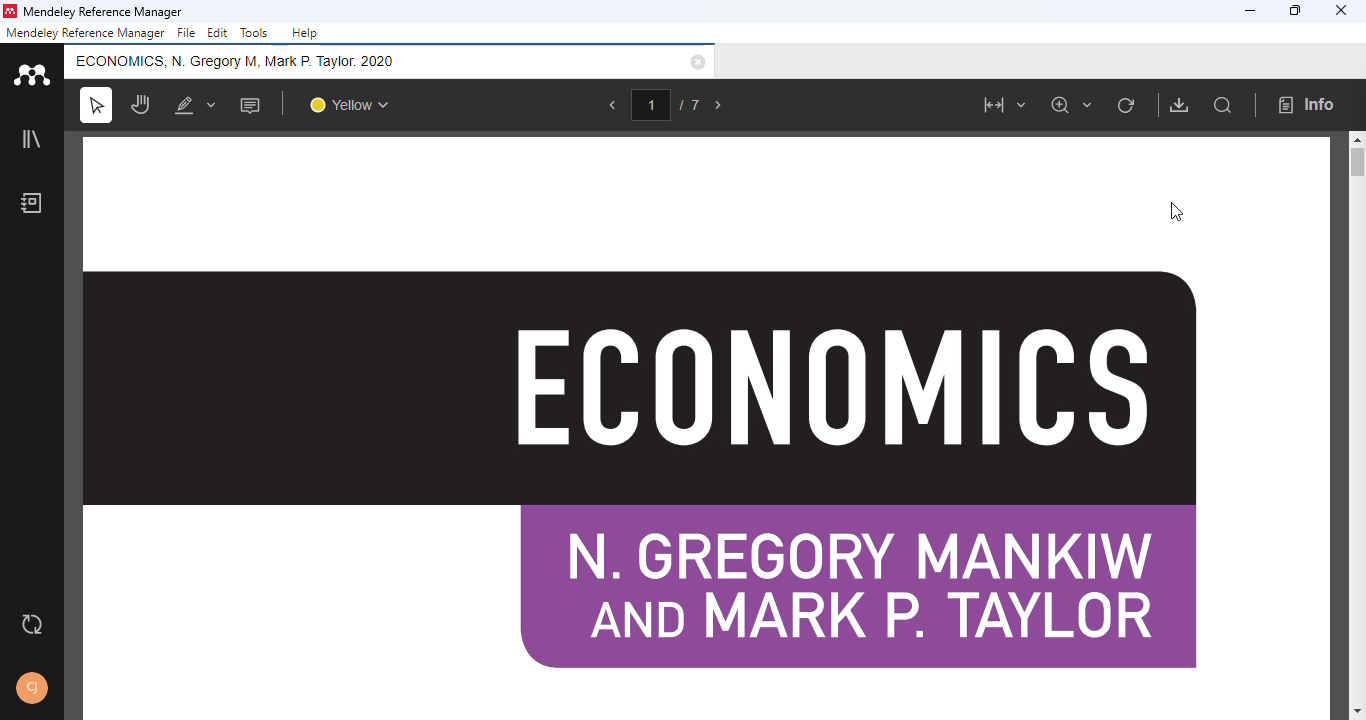 This screenshot has width=1366, height=720. What do you see at coordinates (1308, 105) in the screenshot?
I see `info` at bounding box center [1308, 105].